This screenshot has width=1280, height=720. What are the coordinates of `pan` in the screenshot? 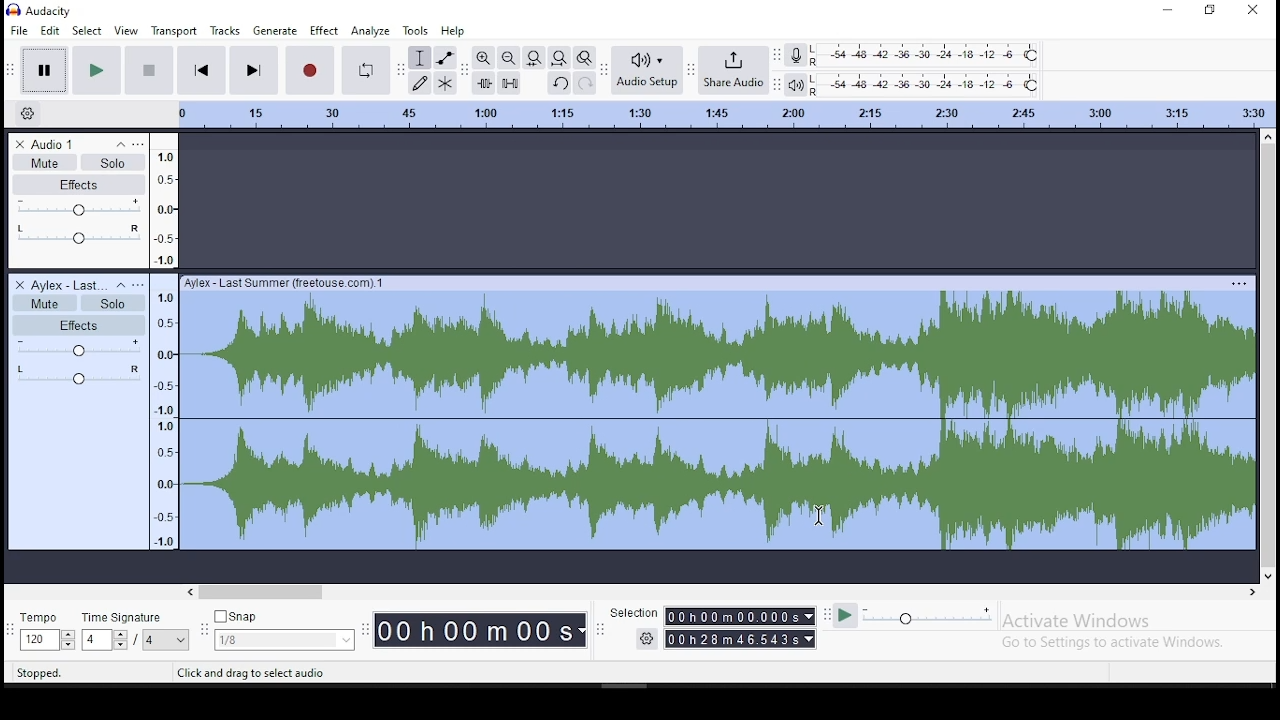 It's located at (78, 233).